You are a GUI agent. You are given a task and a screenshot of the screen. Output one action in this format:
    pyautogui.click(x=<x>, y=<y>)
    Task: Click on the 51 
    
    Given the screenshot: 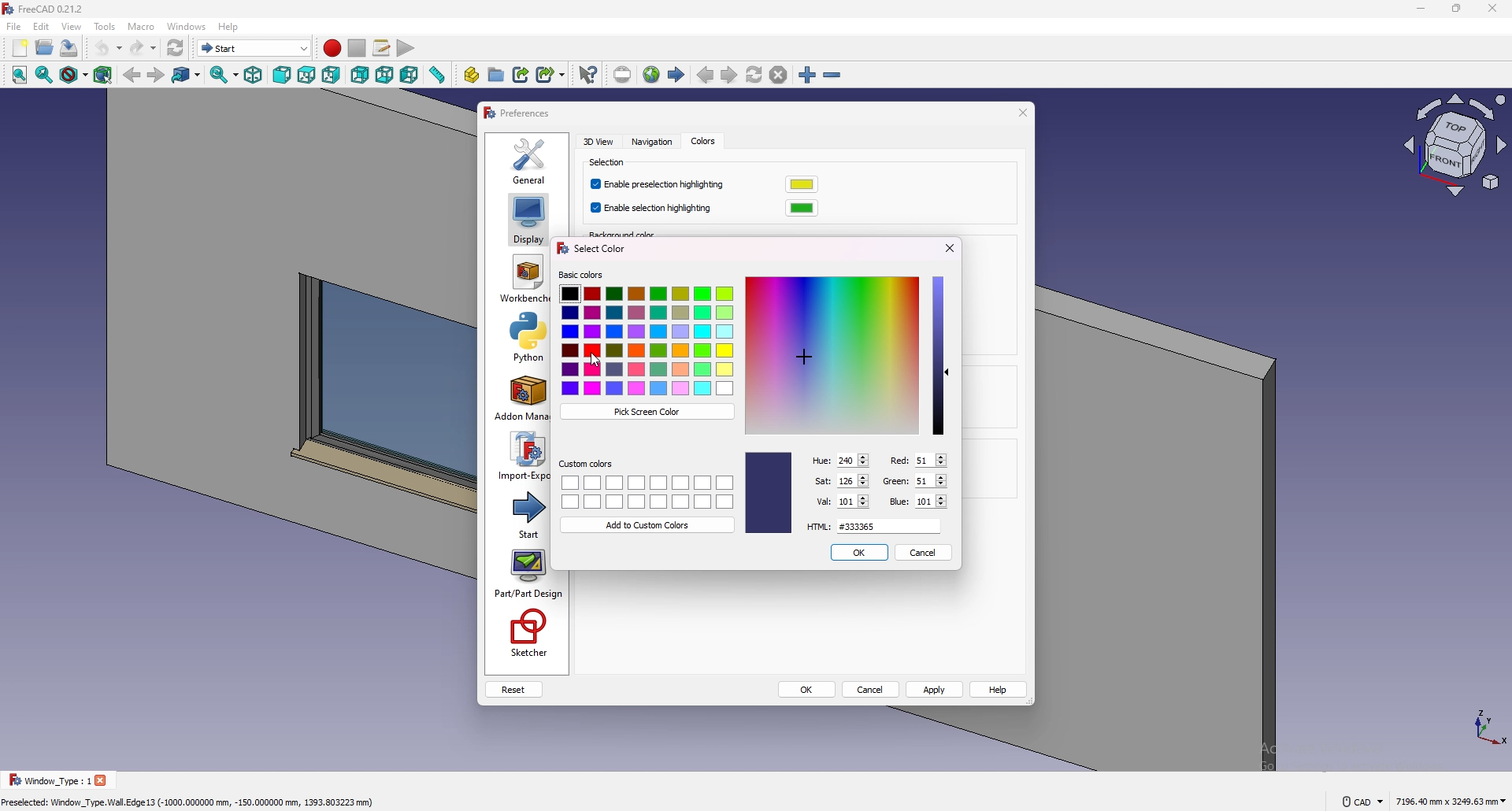 What is the action you would take?
    pyautogui.click(x=930, y=480)
    